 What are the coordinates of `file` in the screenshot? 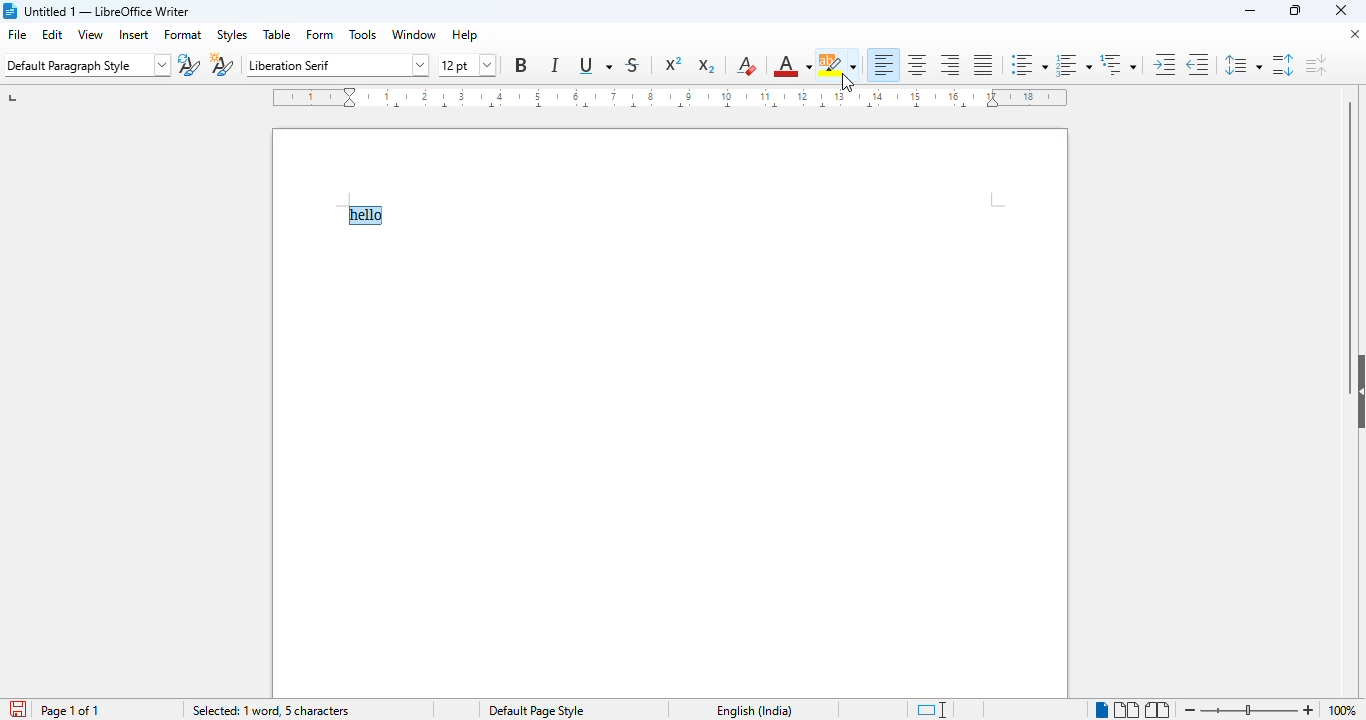 It's located at (16, 34).